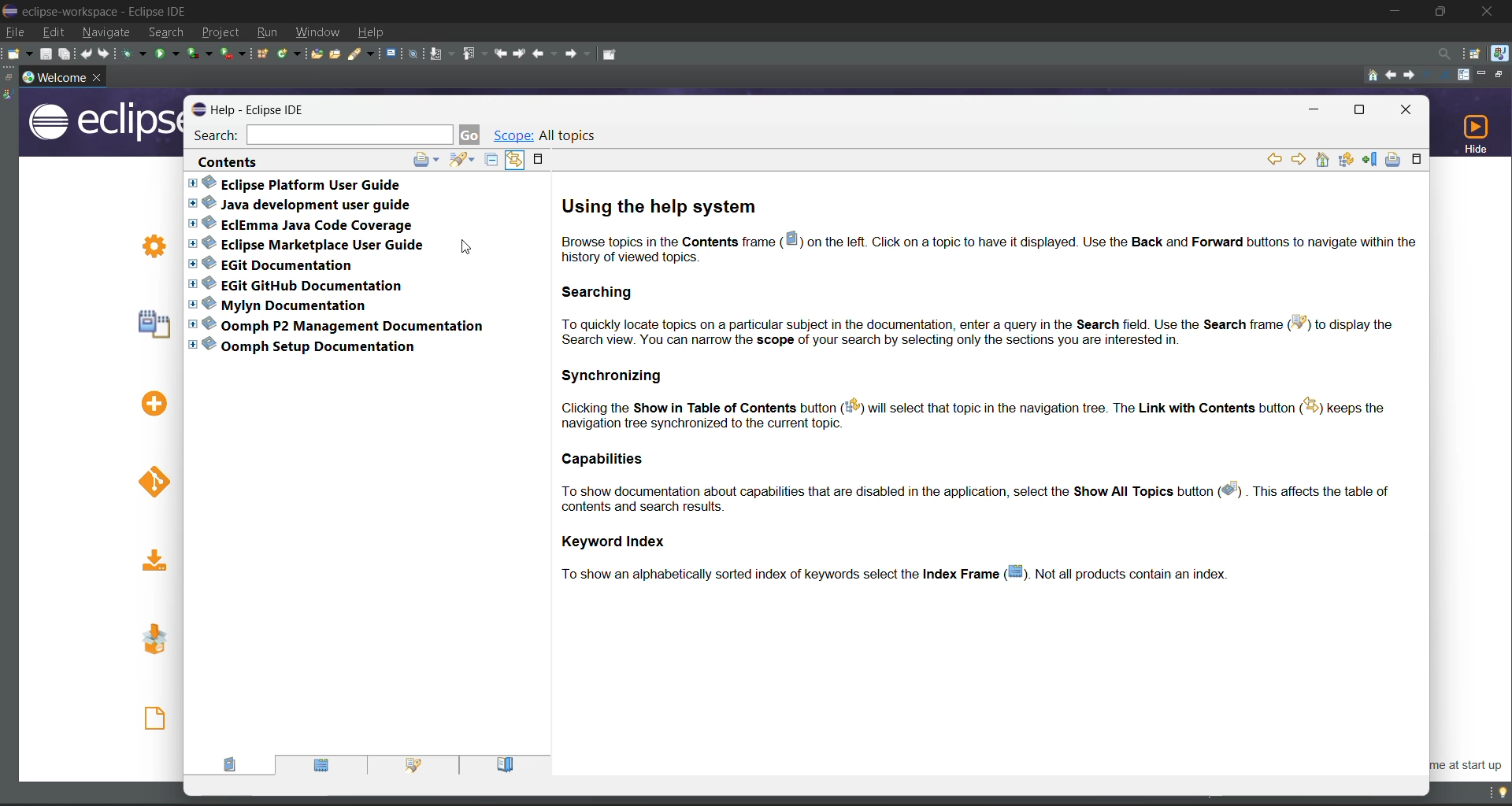  What do you see at coordinates (348, 135) in the screenshot?
I see `search bar` at bounding box center [348, 135].